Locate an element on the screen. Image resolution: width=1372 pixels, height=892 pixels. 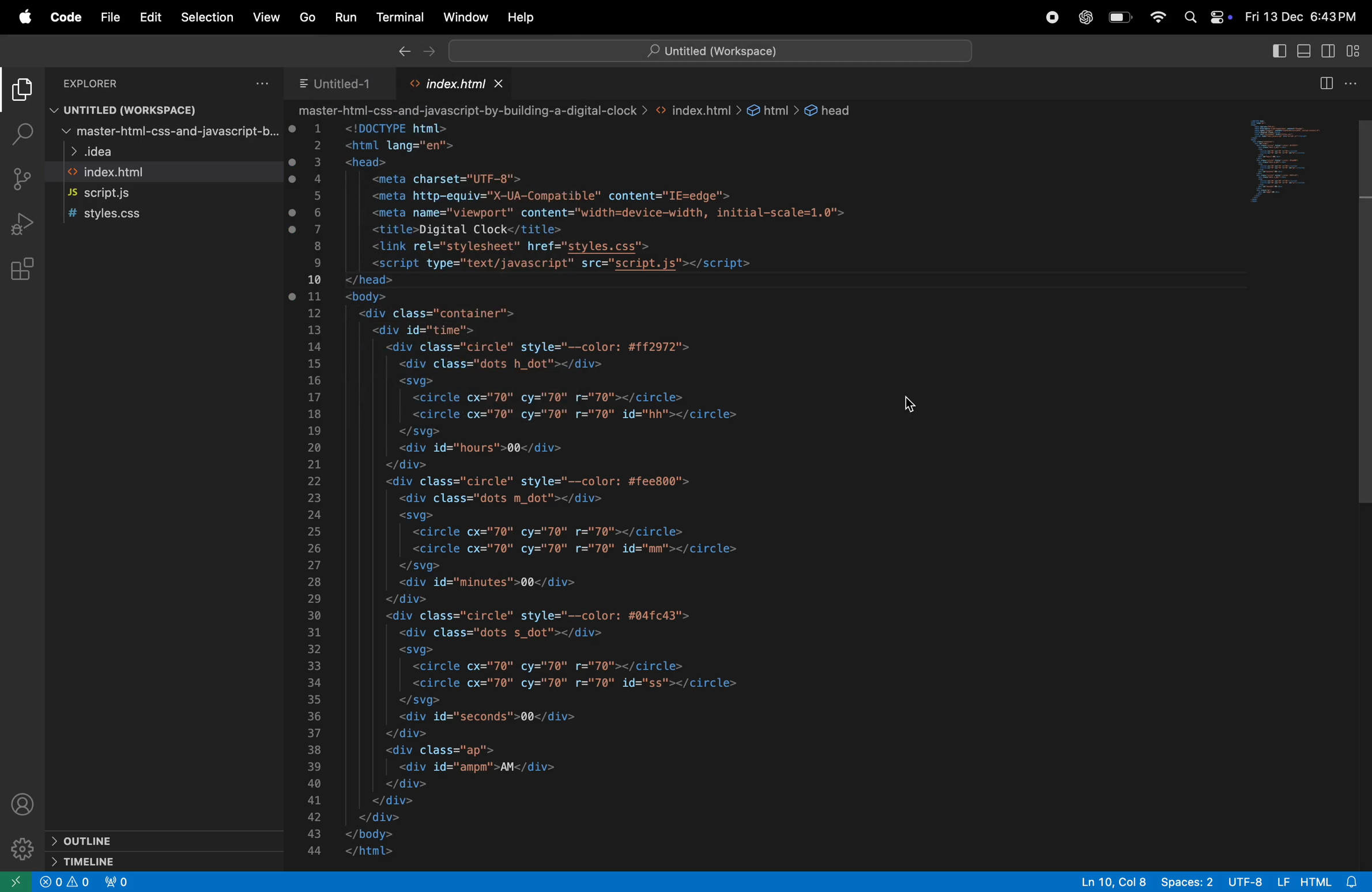
split editor is located at coordinates (1327, 84).